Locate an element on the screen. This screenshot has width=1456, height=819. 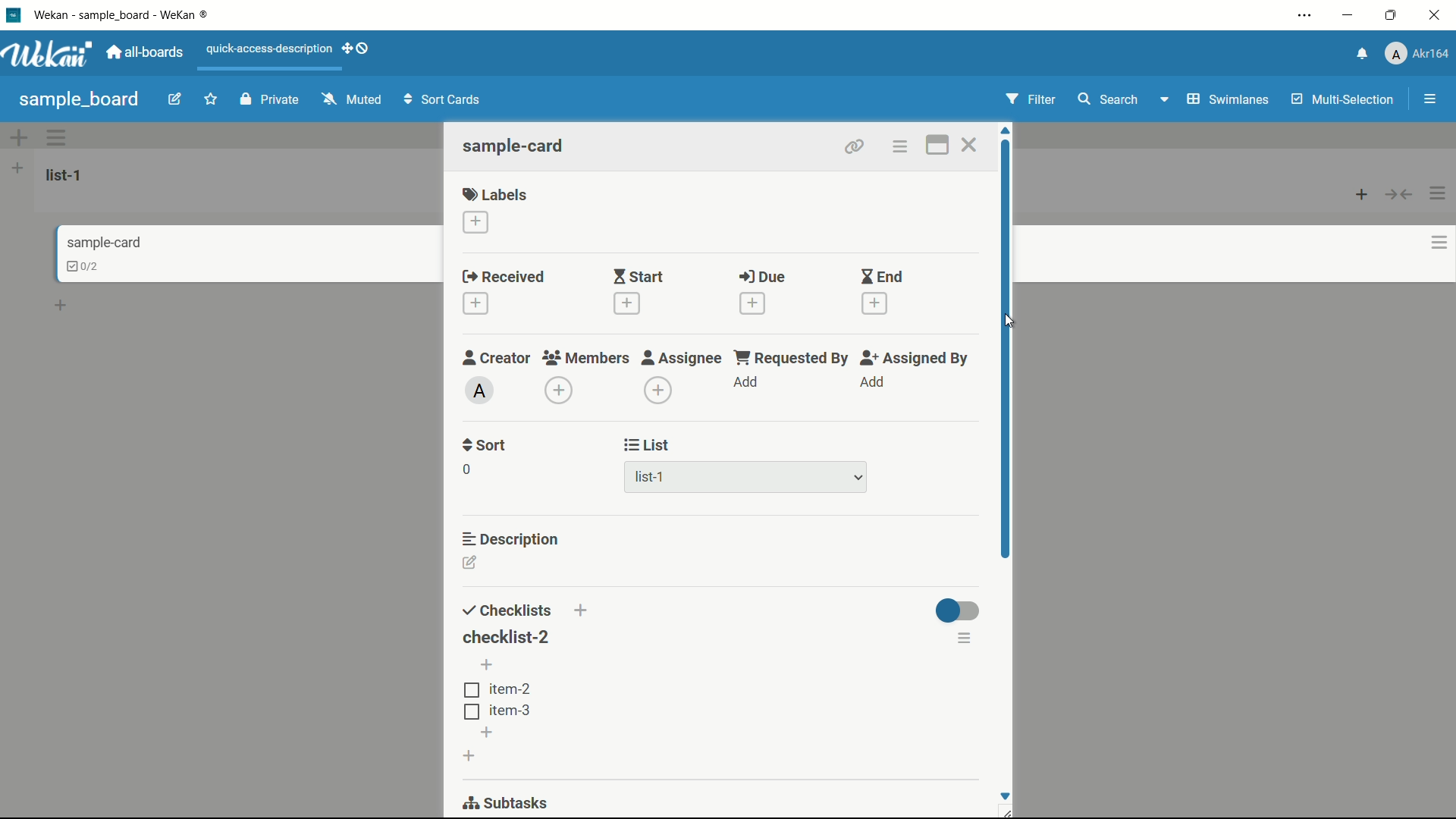
show-desktop-drag-handles is located at coordinates (357, 50).